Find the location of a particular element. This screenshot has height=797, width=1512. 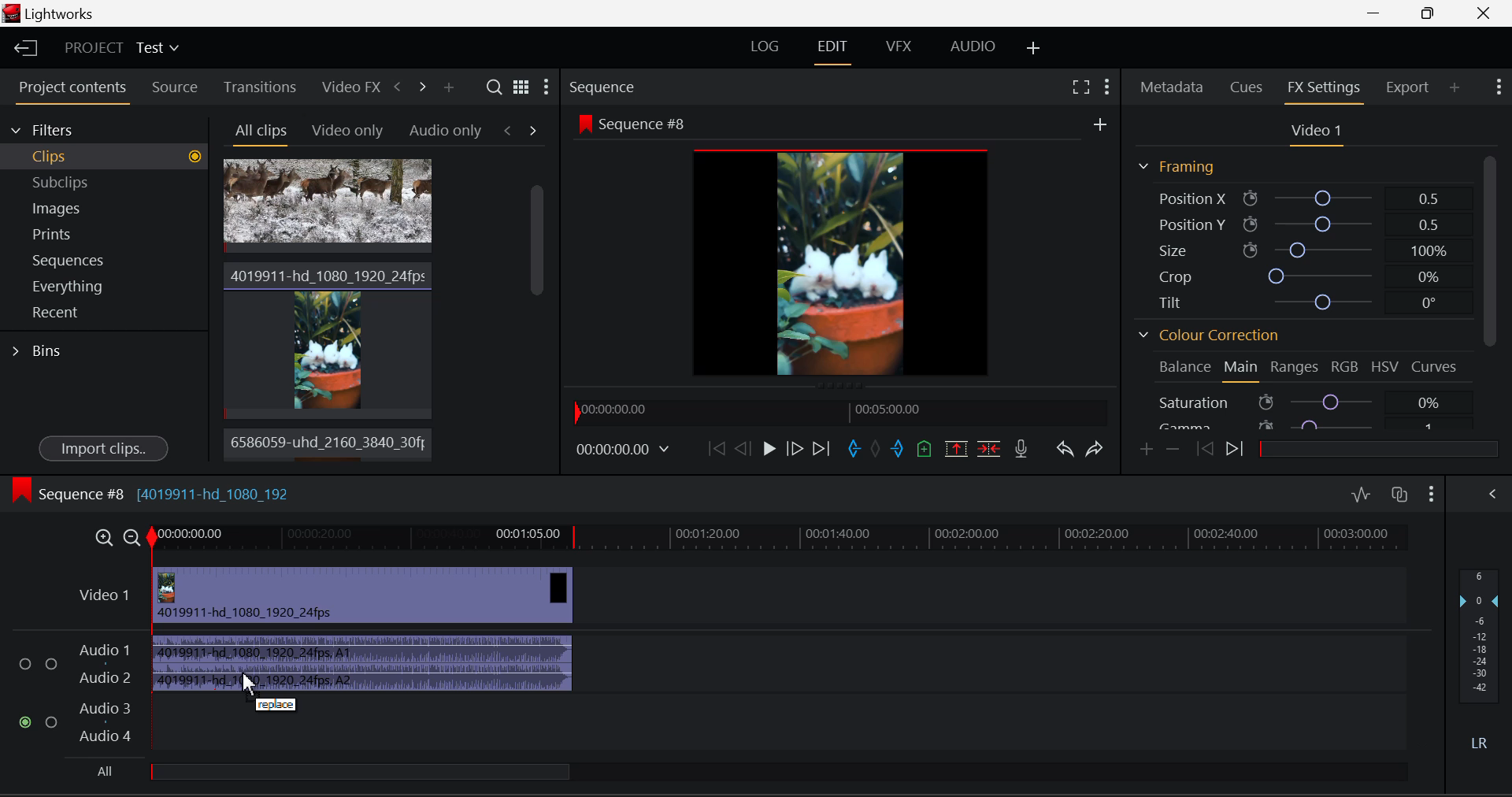

Toggle between list and title view is located at coordinates (521, 86).